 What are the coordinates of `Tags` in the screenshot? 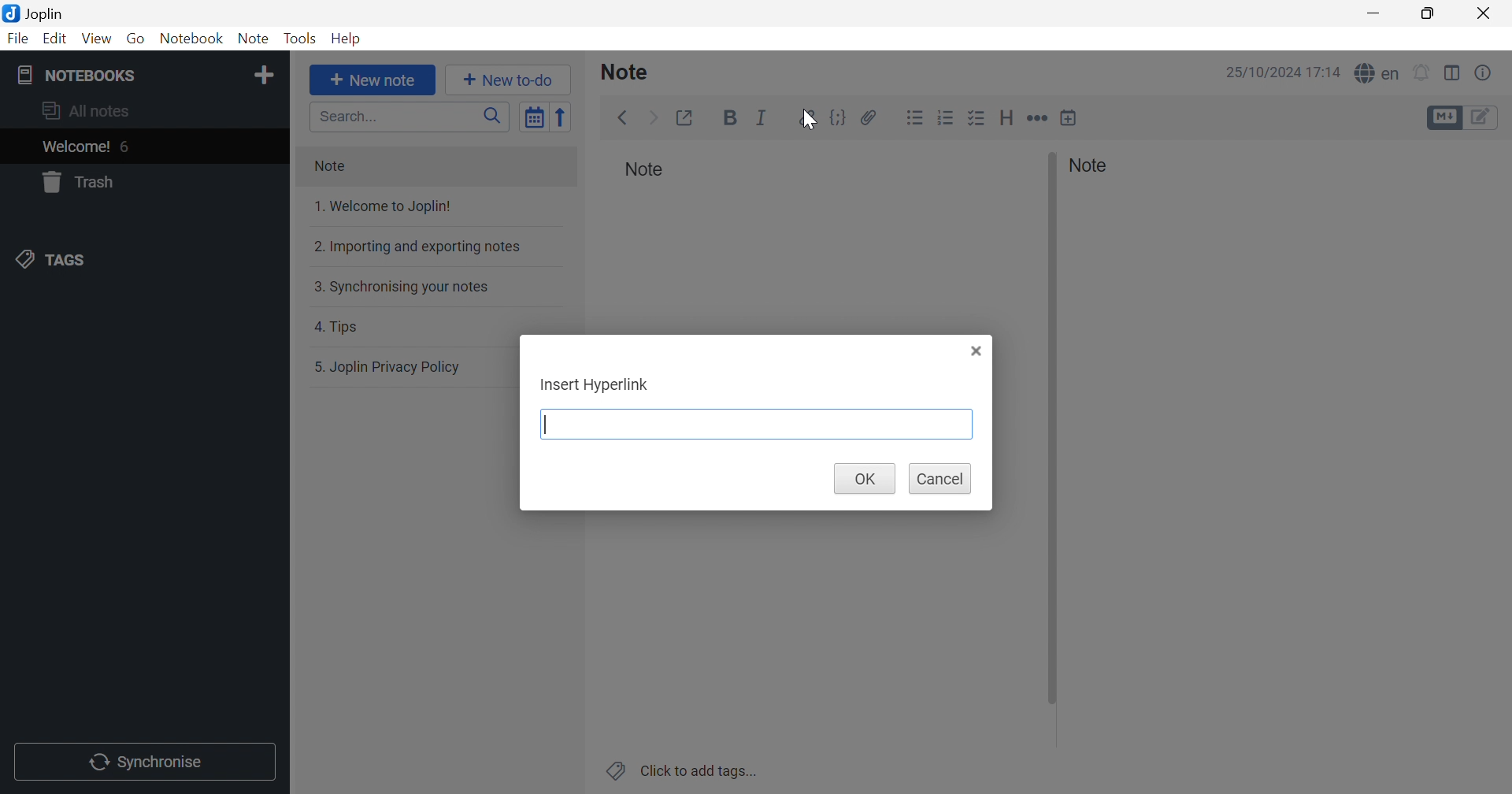 It's located at (141, 260).